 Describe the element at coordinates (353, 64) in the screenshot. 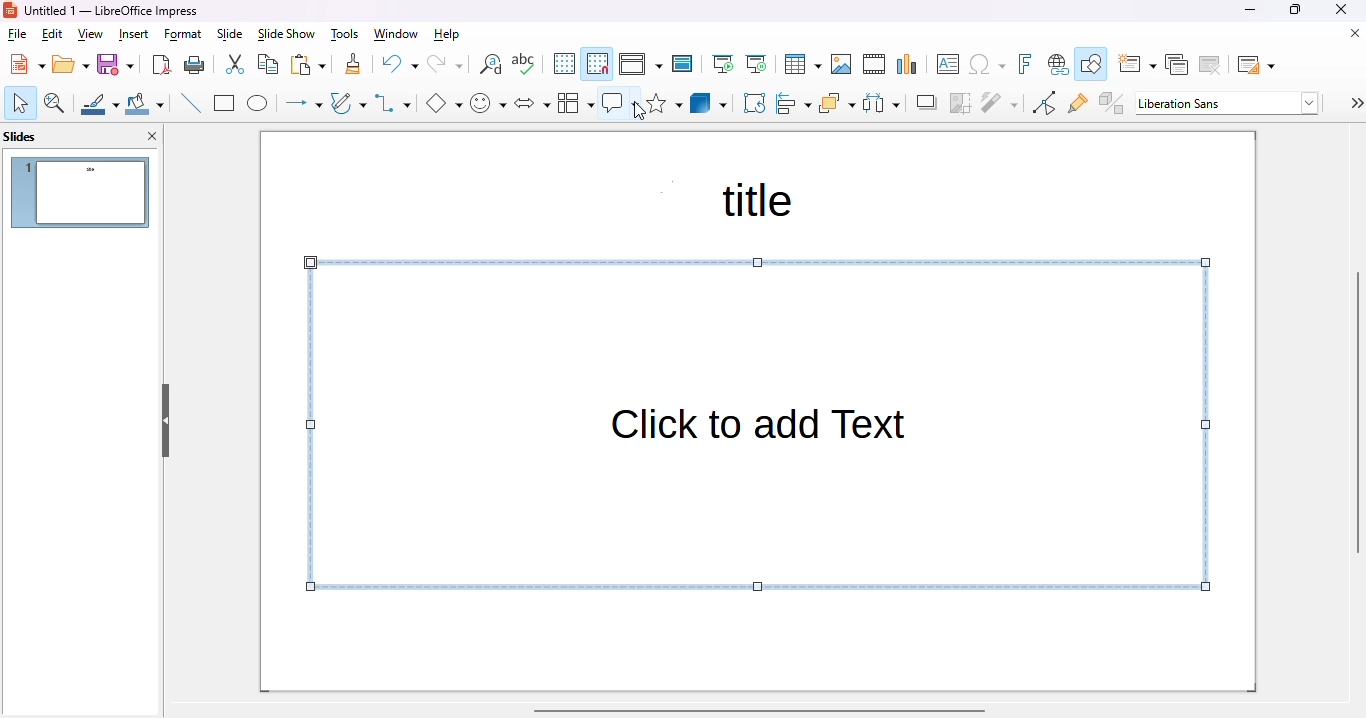

I see `clone formatting` at that location.